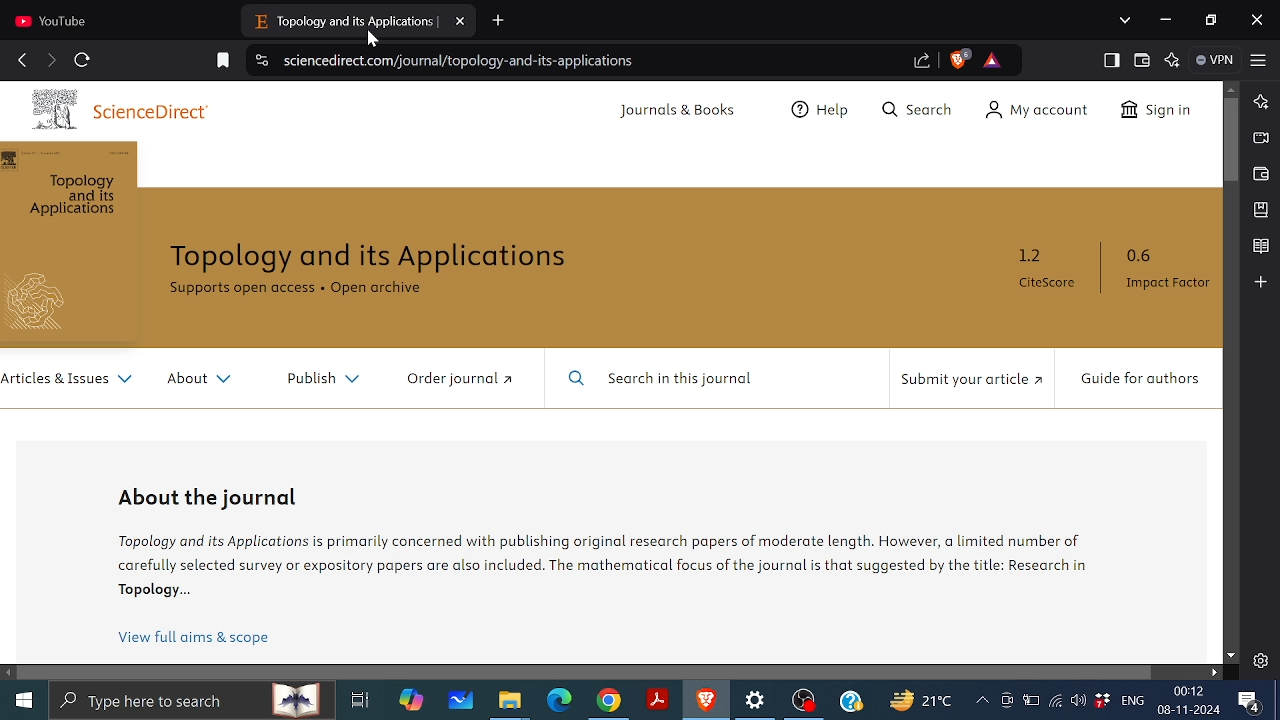 This screenshot has width=1280, height=720. What do you see at coordinates (1214, 21) in the screenshot?
I see `Restore down` at bounding box center [1214, 21].